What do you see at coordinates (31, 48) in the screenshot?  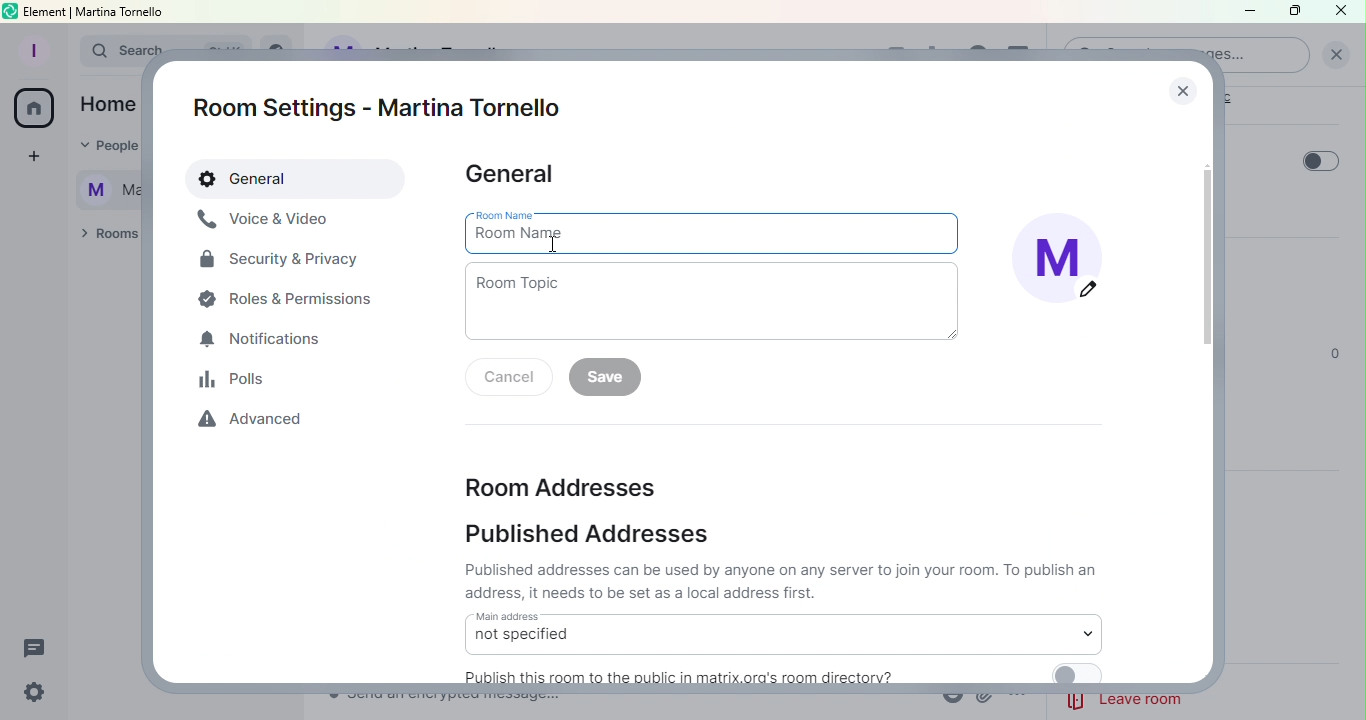 I see `Profile` at bounding box center [31, 48].